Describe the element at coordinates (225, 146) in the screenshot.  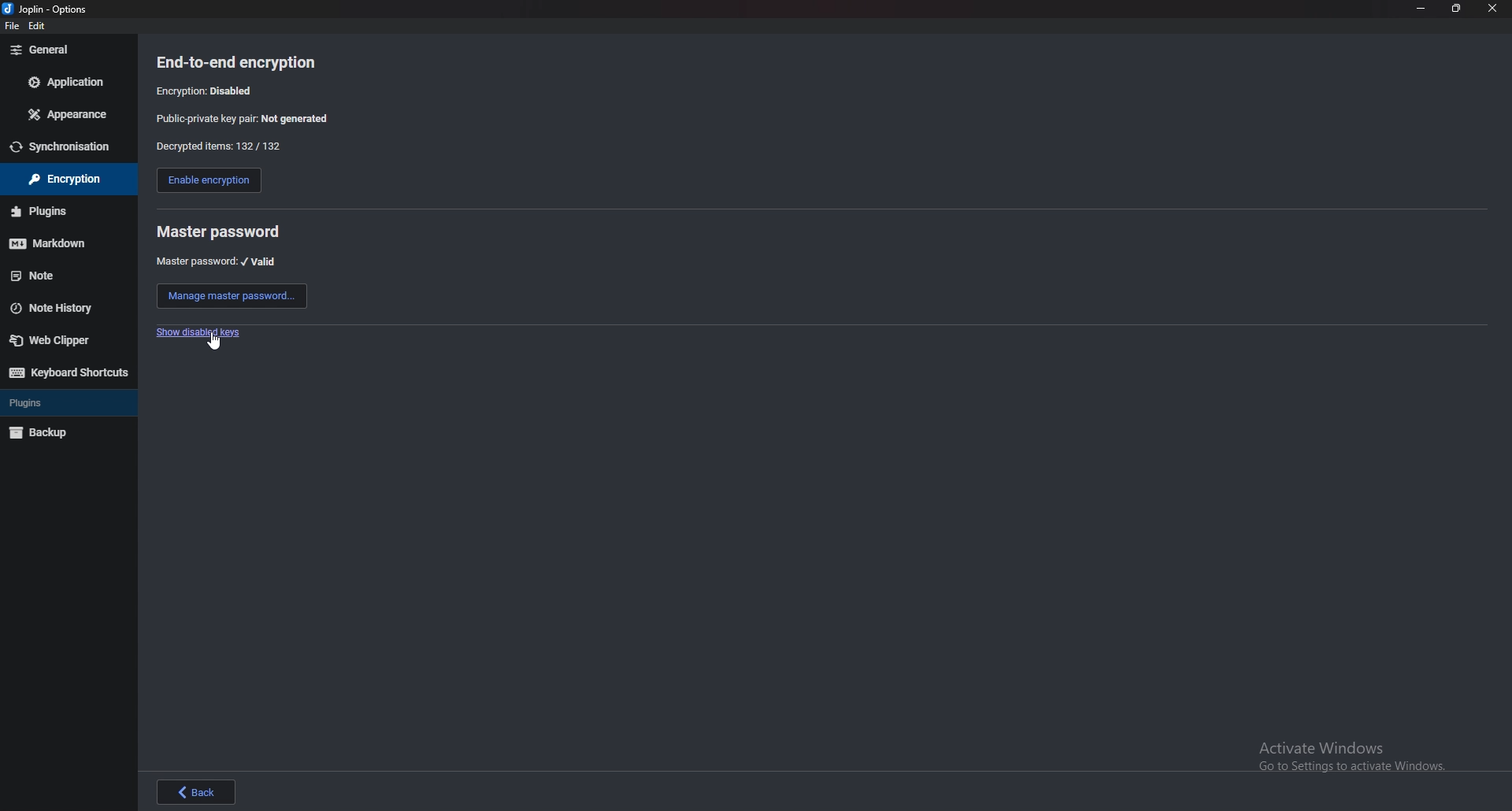
I see `decrypted items` at that location.